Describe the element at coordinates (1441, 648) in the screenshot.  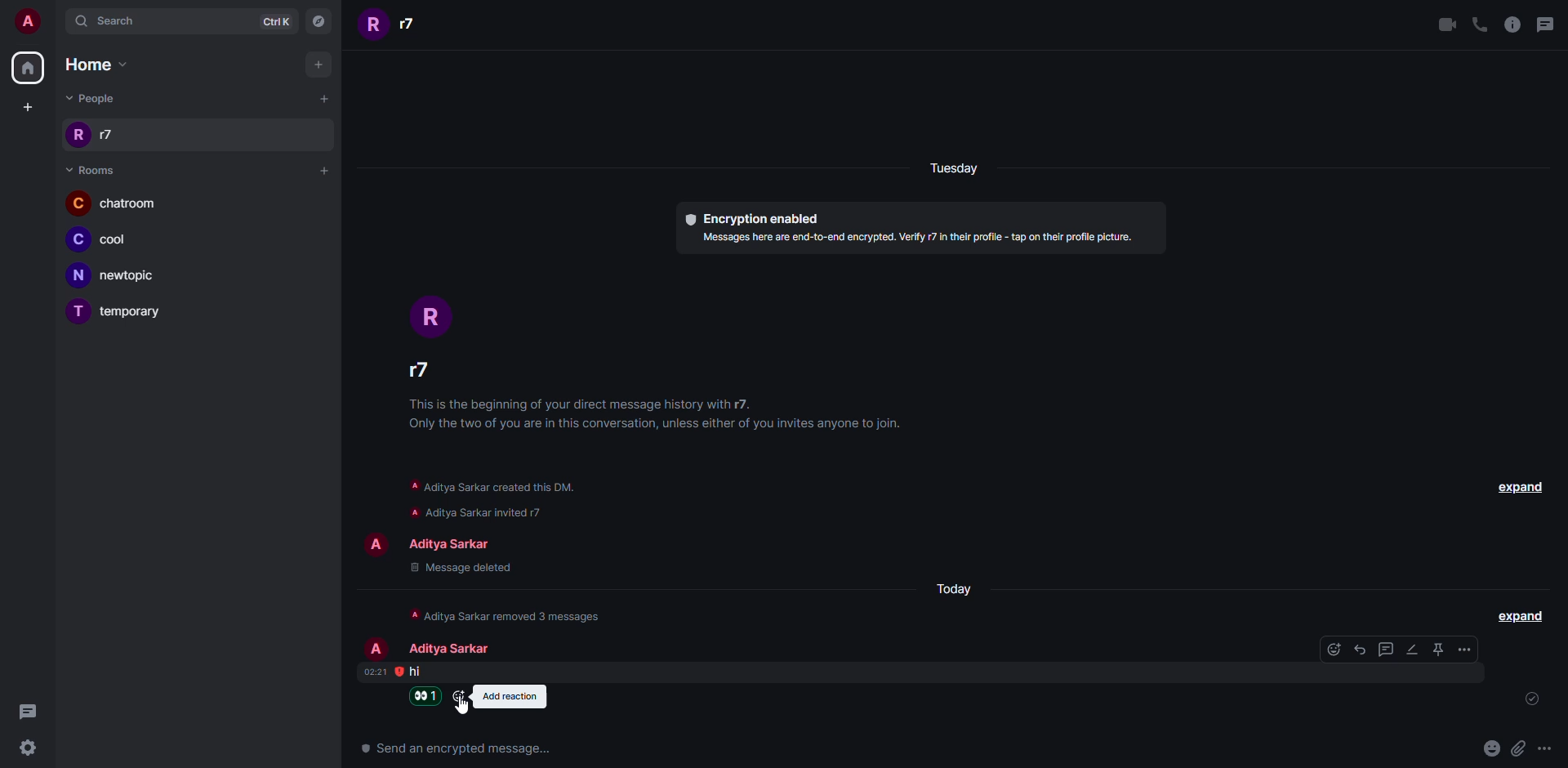
I see `pin` at that location.